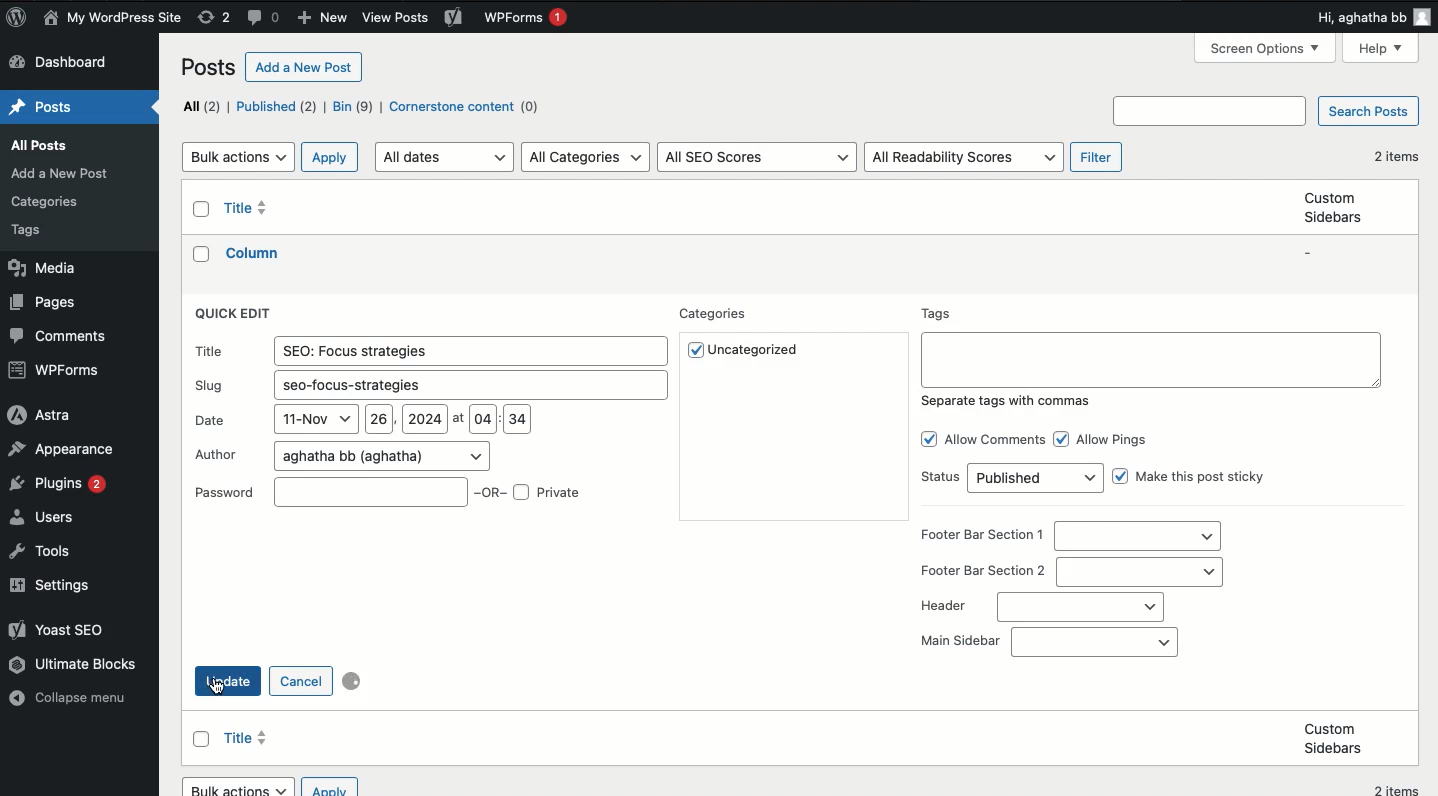 The width and height of the screenshot is (1438, 796). What do you see at coordinates (1382, 50) in the screenshot?
I see `Help` at bounding box center [1382, 50].